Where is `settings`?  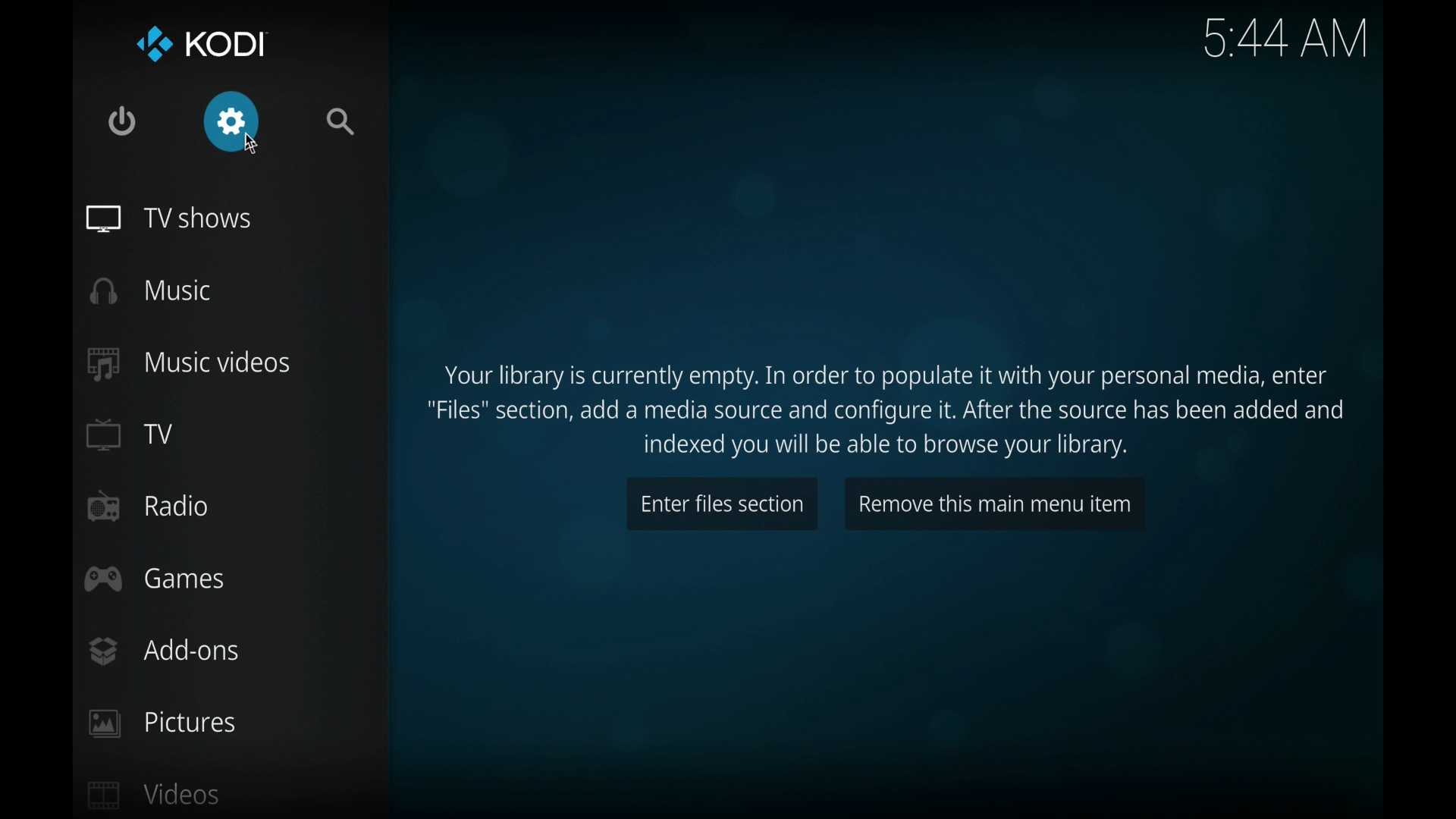
settings is located at coordinates (231, 121).